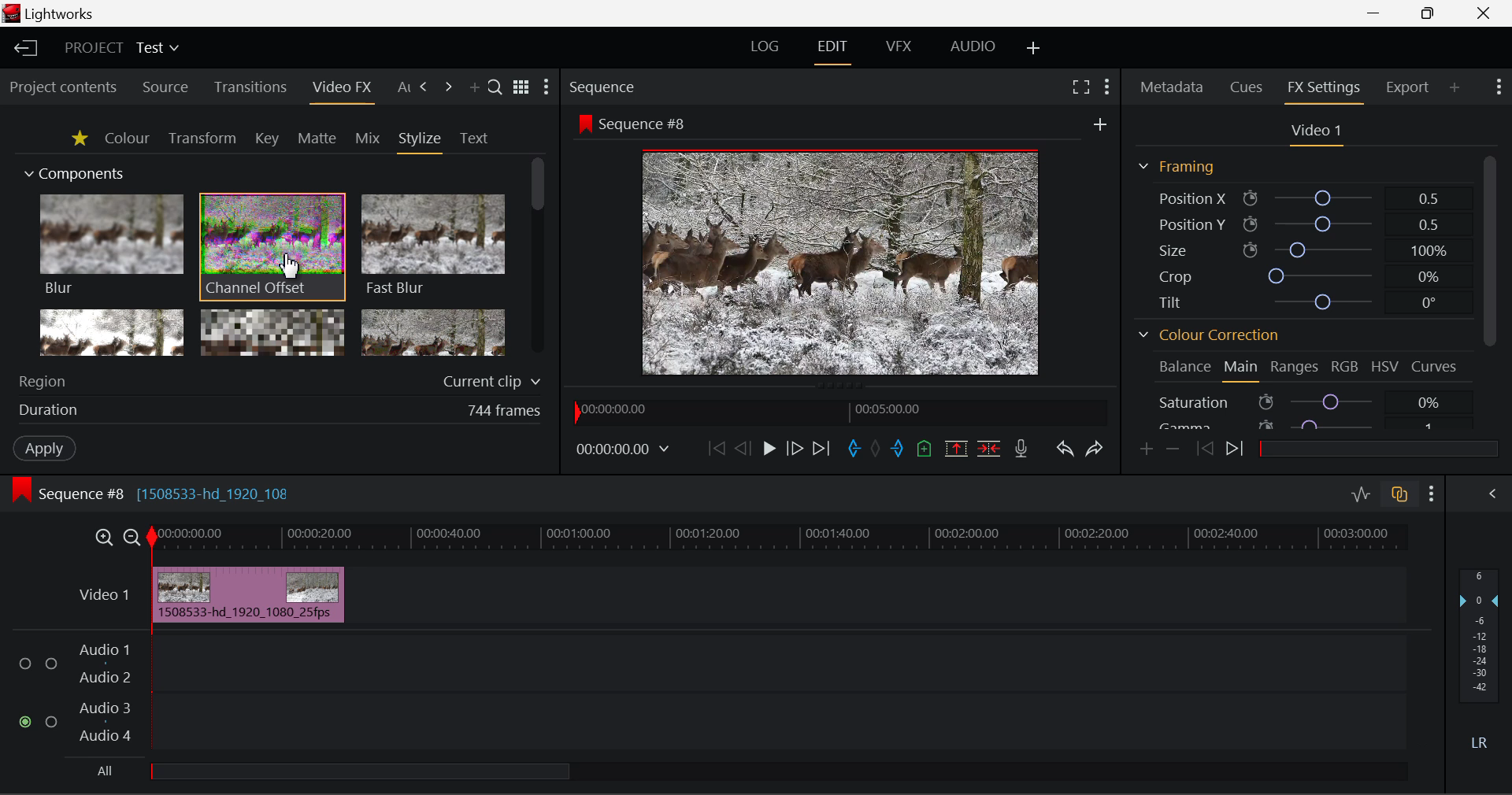 The image size is (1512, 795). Describe the element at coordinates (79, 140) in the screenshot. I see `Favorites` at that location.